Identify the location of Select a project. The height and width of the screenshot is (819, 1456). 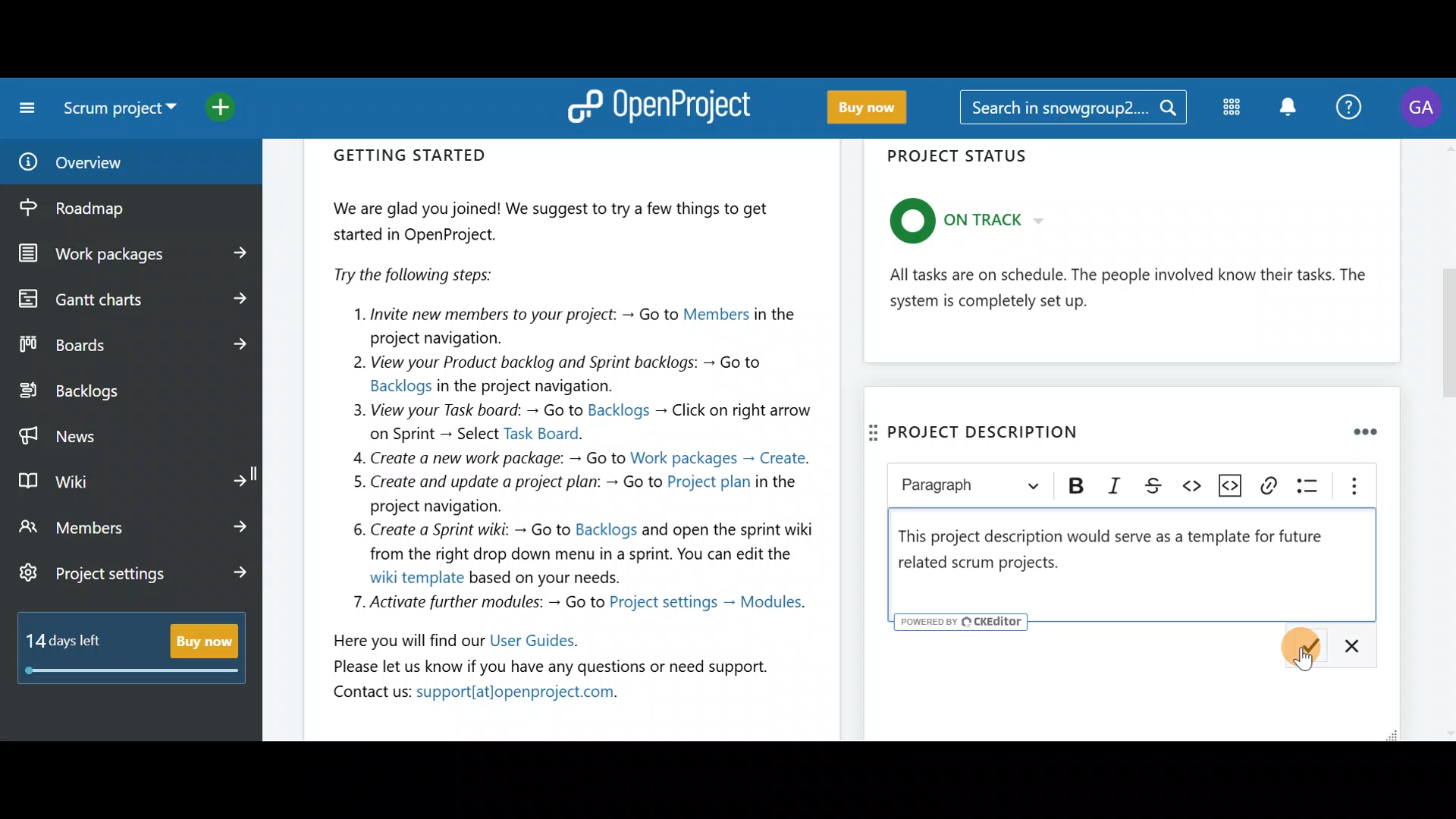
(123, 114).